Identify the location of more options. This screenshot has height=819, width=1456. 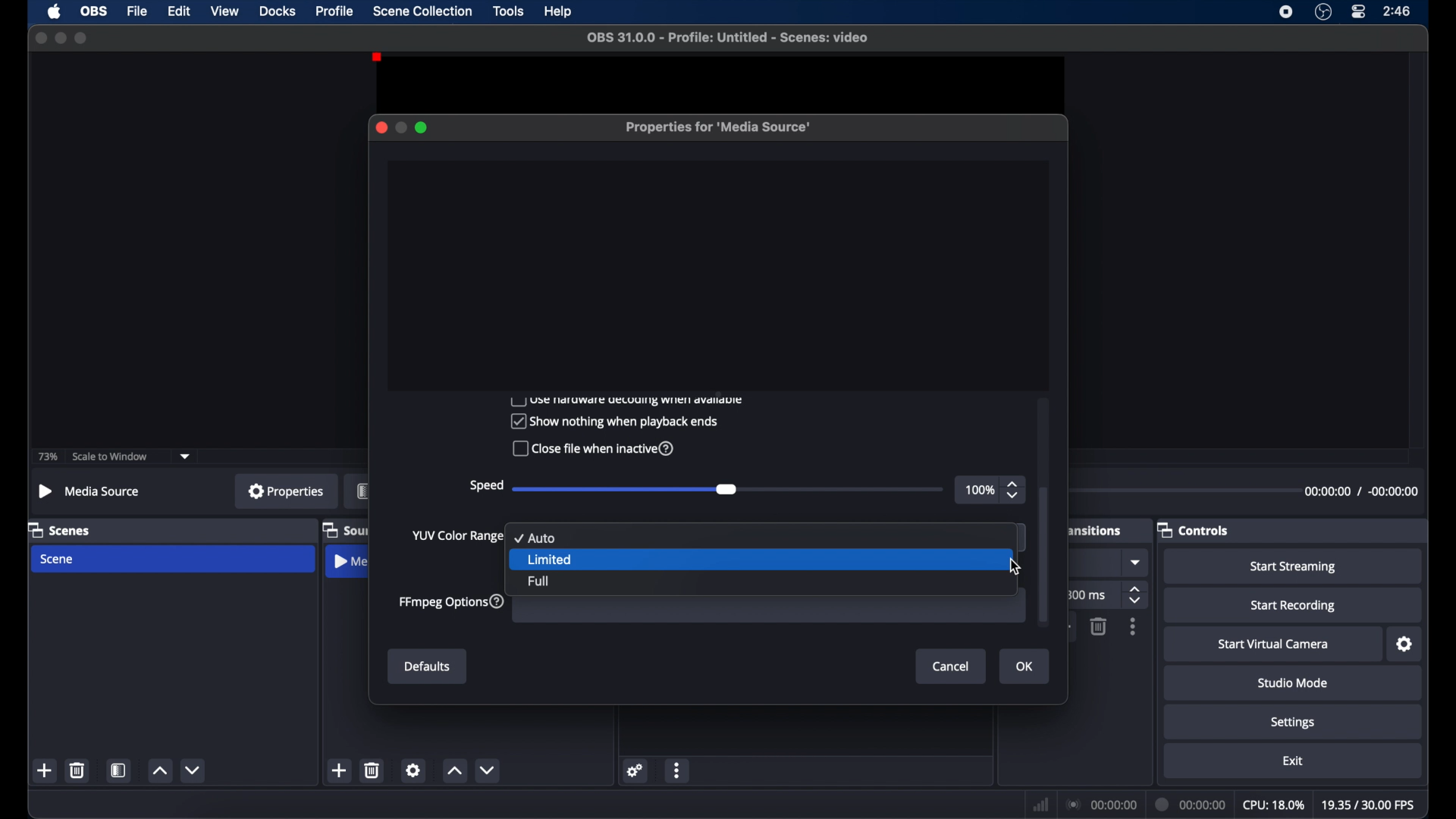
(1134, 627).